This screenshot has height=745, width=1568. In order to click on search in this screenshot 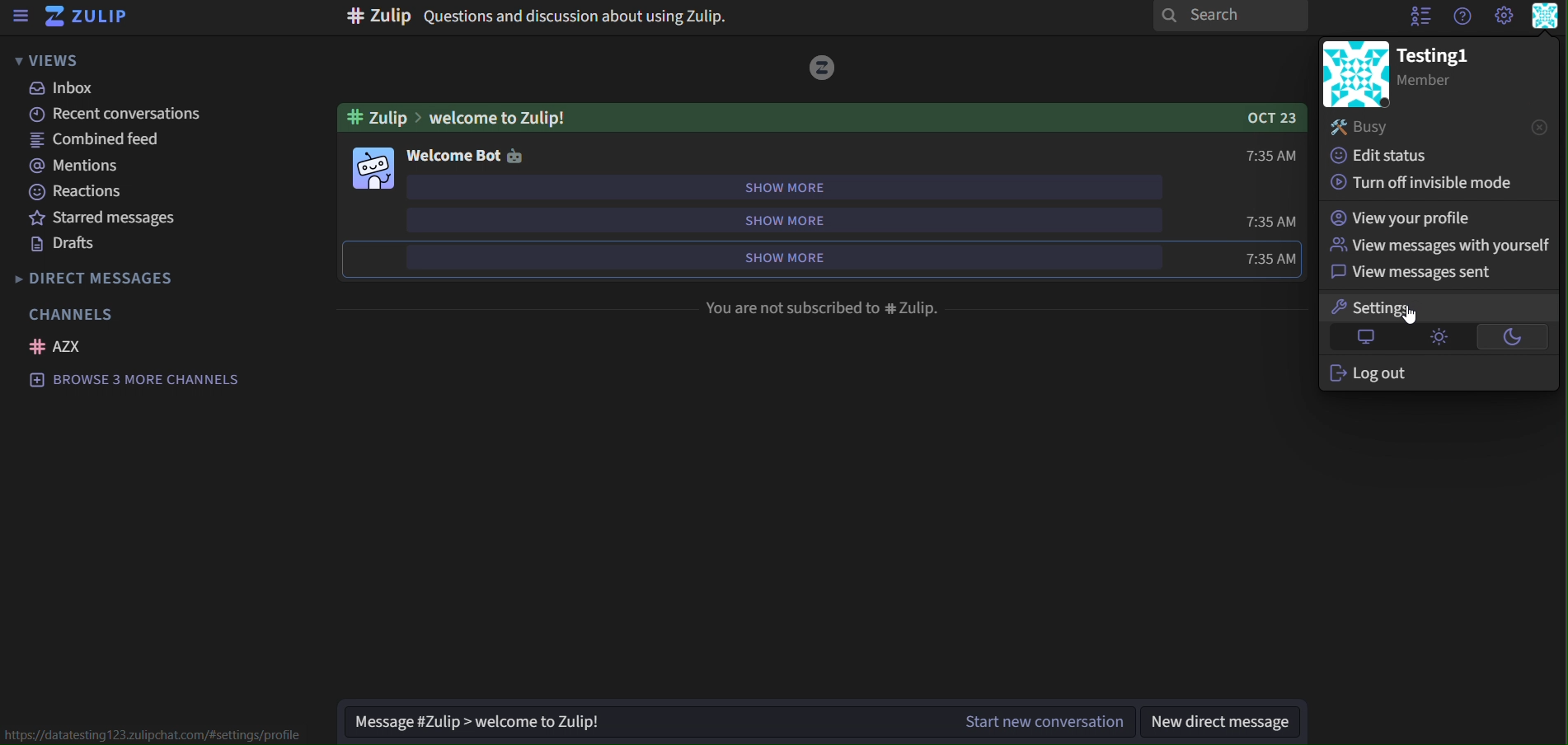, I will do `click(1230, 15)`.